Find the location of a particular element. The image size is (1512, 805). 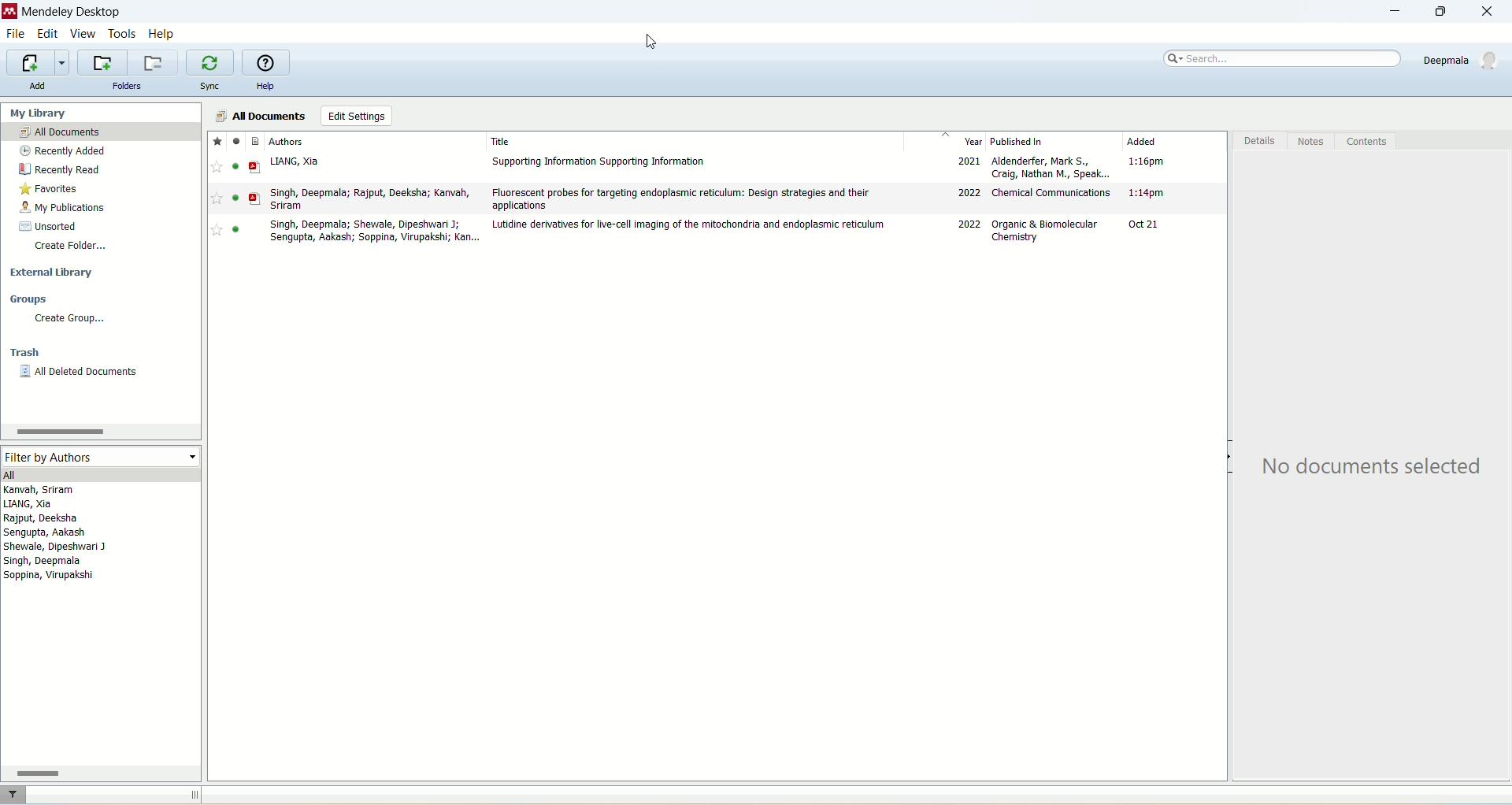

my library is located at coordinates (42, 113).